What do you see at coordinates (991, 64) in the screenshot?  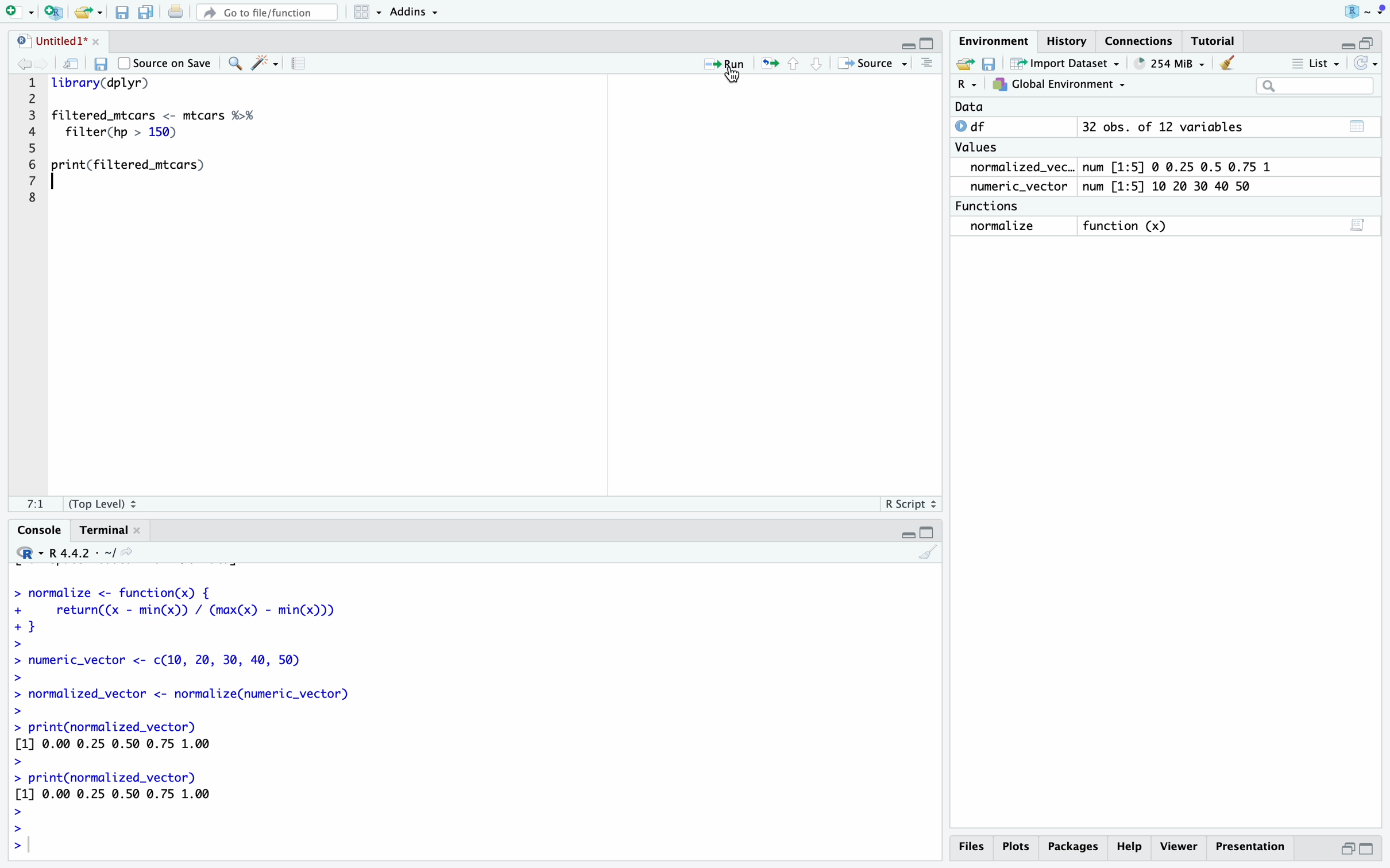 I see `save` at bounding box center [991, 64].